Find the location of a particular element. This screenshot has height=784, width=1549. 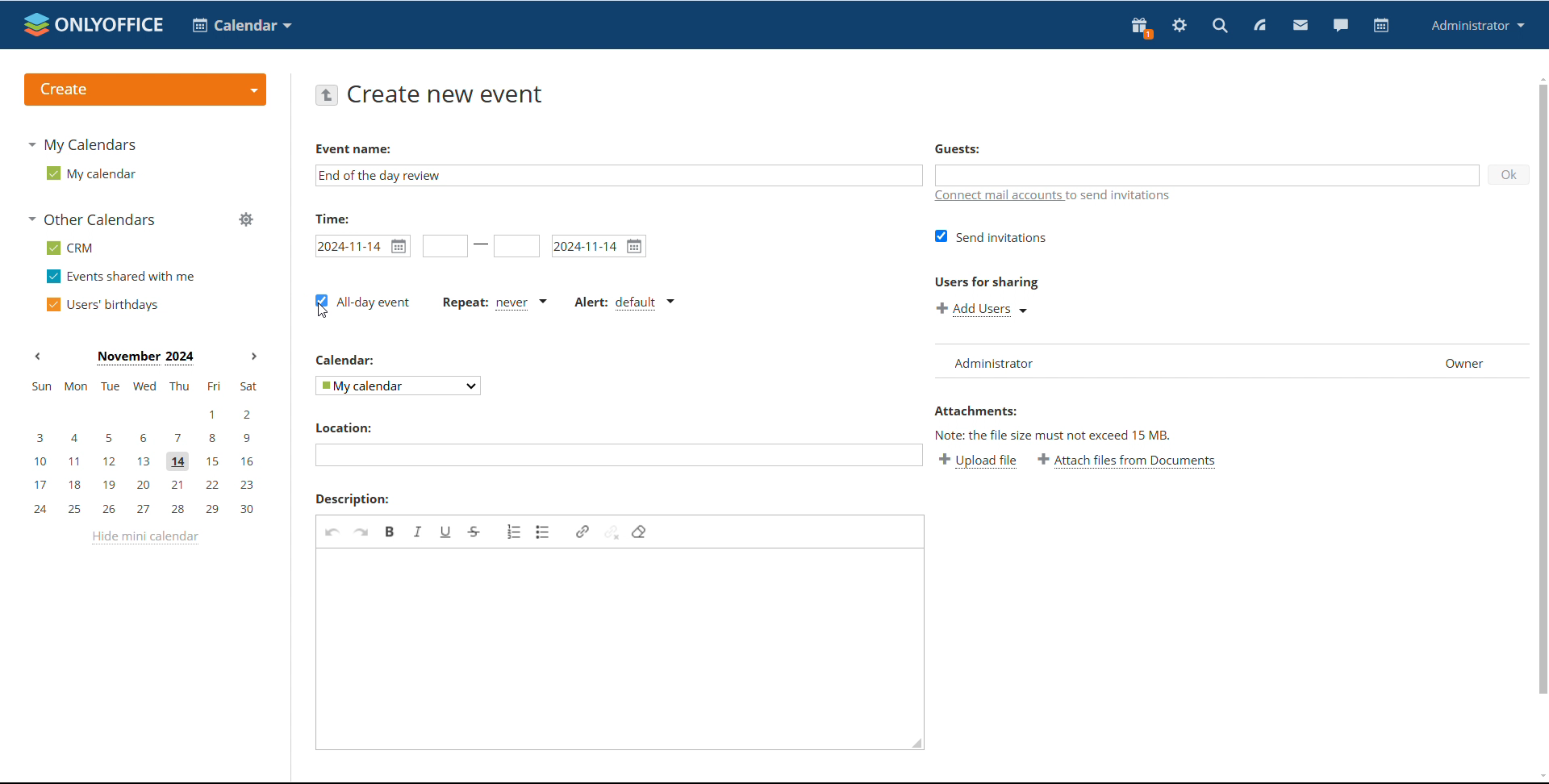

upload file is located at coordinates (978, 460).